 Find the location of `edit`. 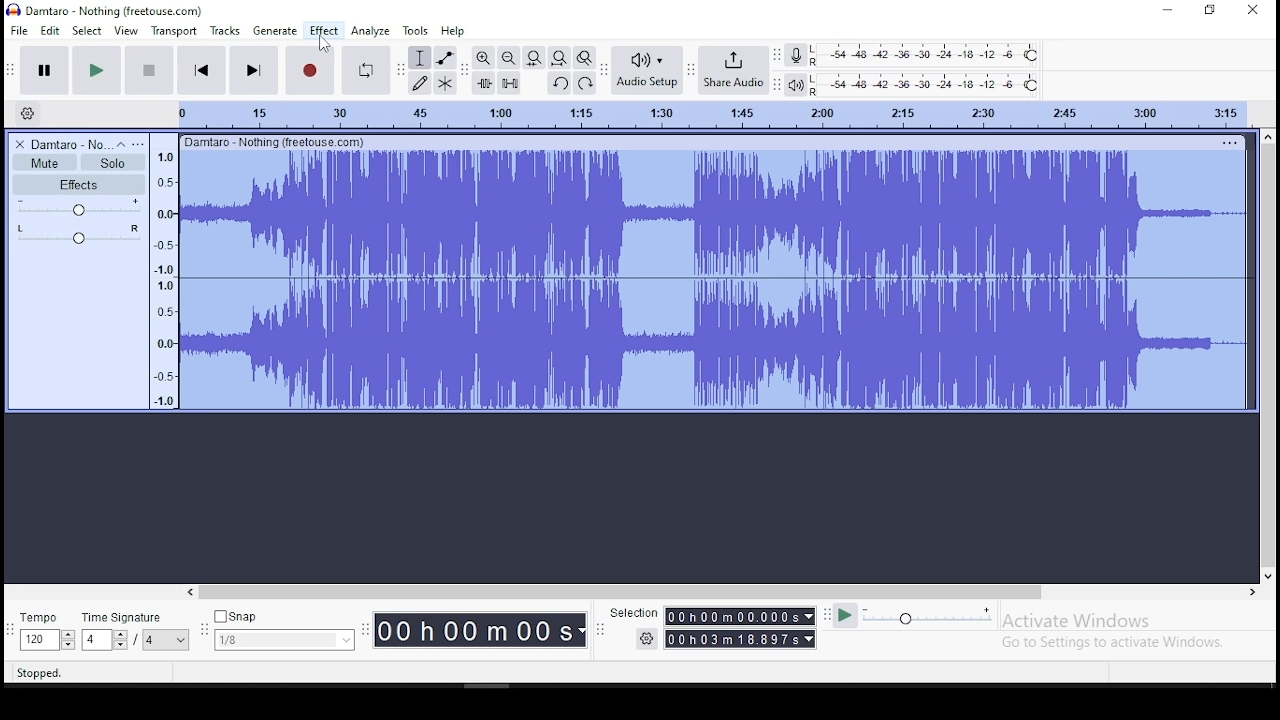

edit is located at coordinates (50, 30).